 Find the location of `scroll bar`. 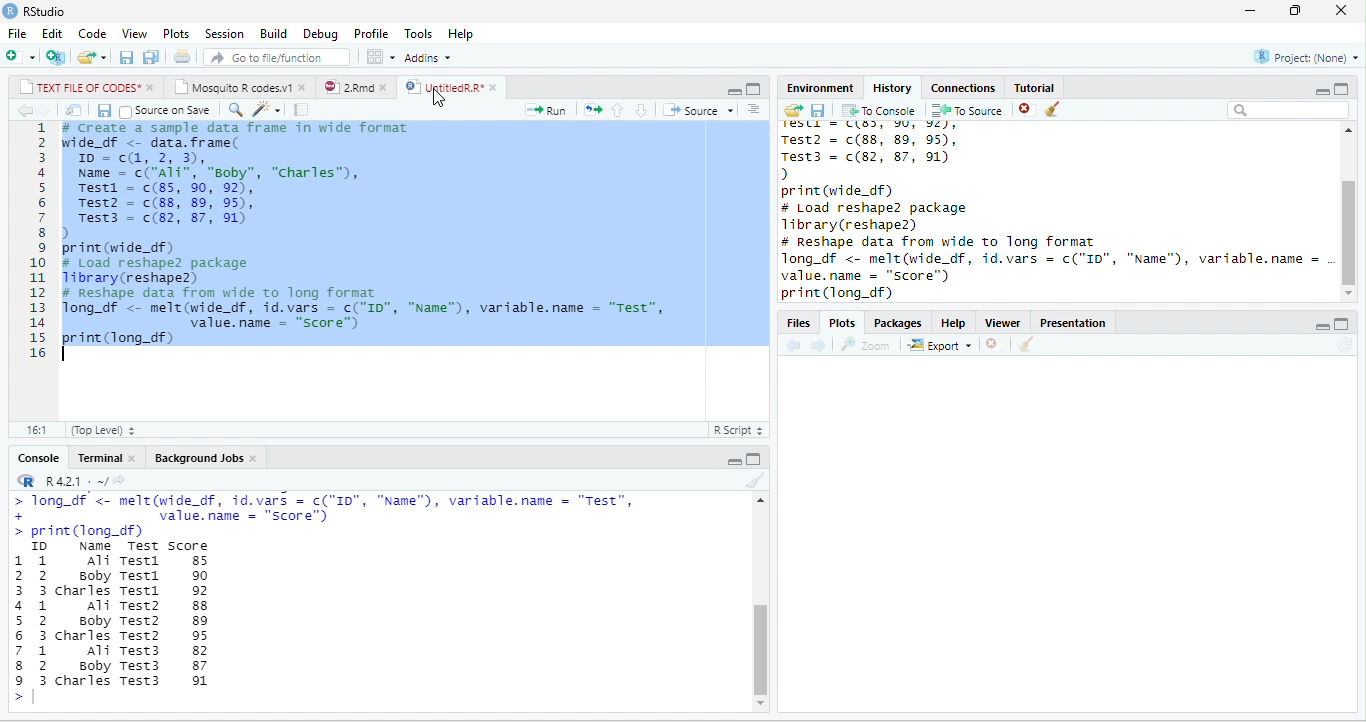

scroll bar is located at coordinates (1348, 233).